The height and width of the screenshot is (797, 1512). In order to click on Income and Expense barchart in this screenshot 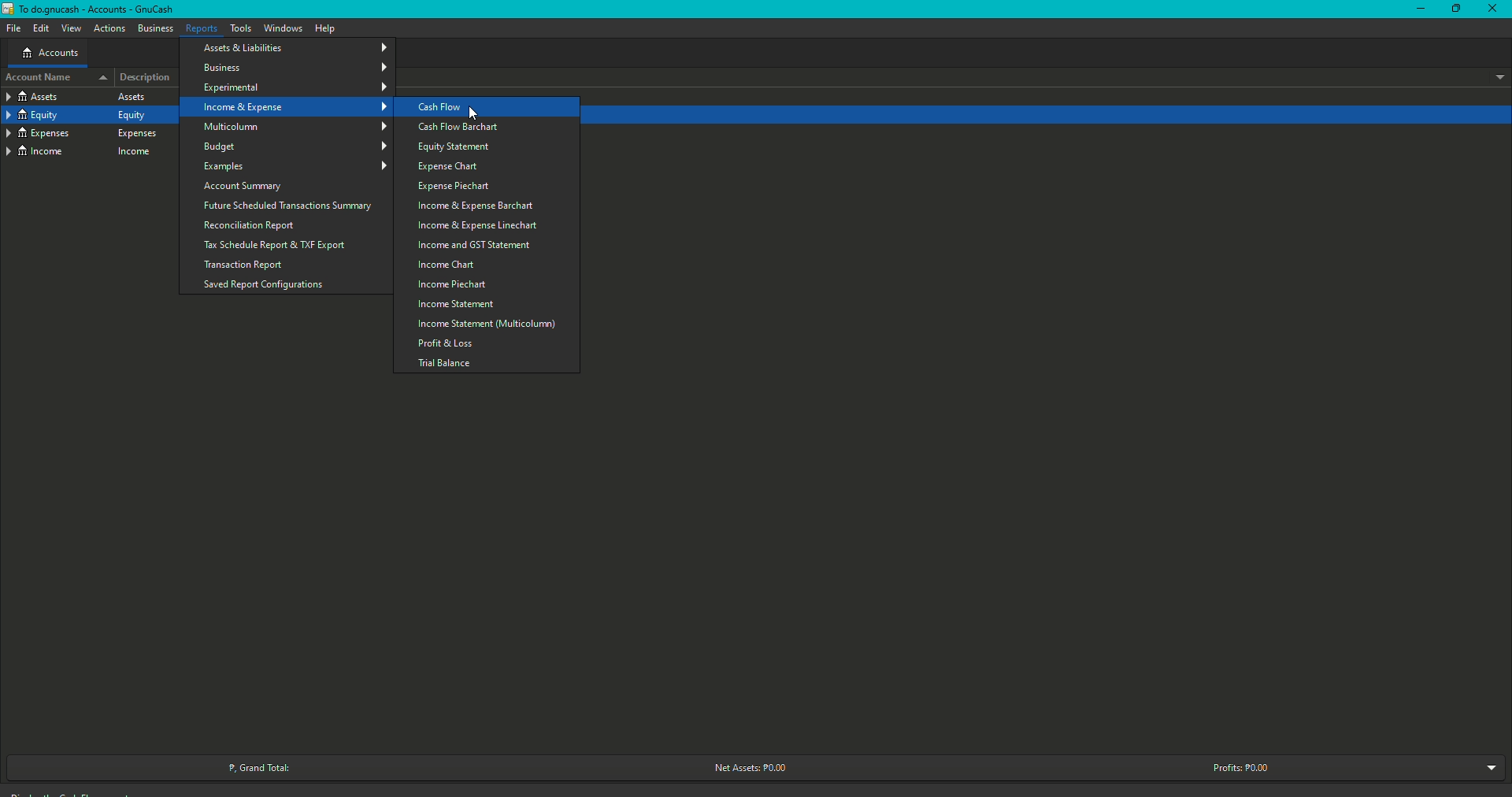, I will do `click(476, 207)`.